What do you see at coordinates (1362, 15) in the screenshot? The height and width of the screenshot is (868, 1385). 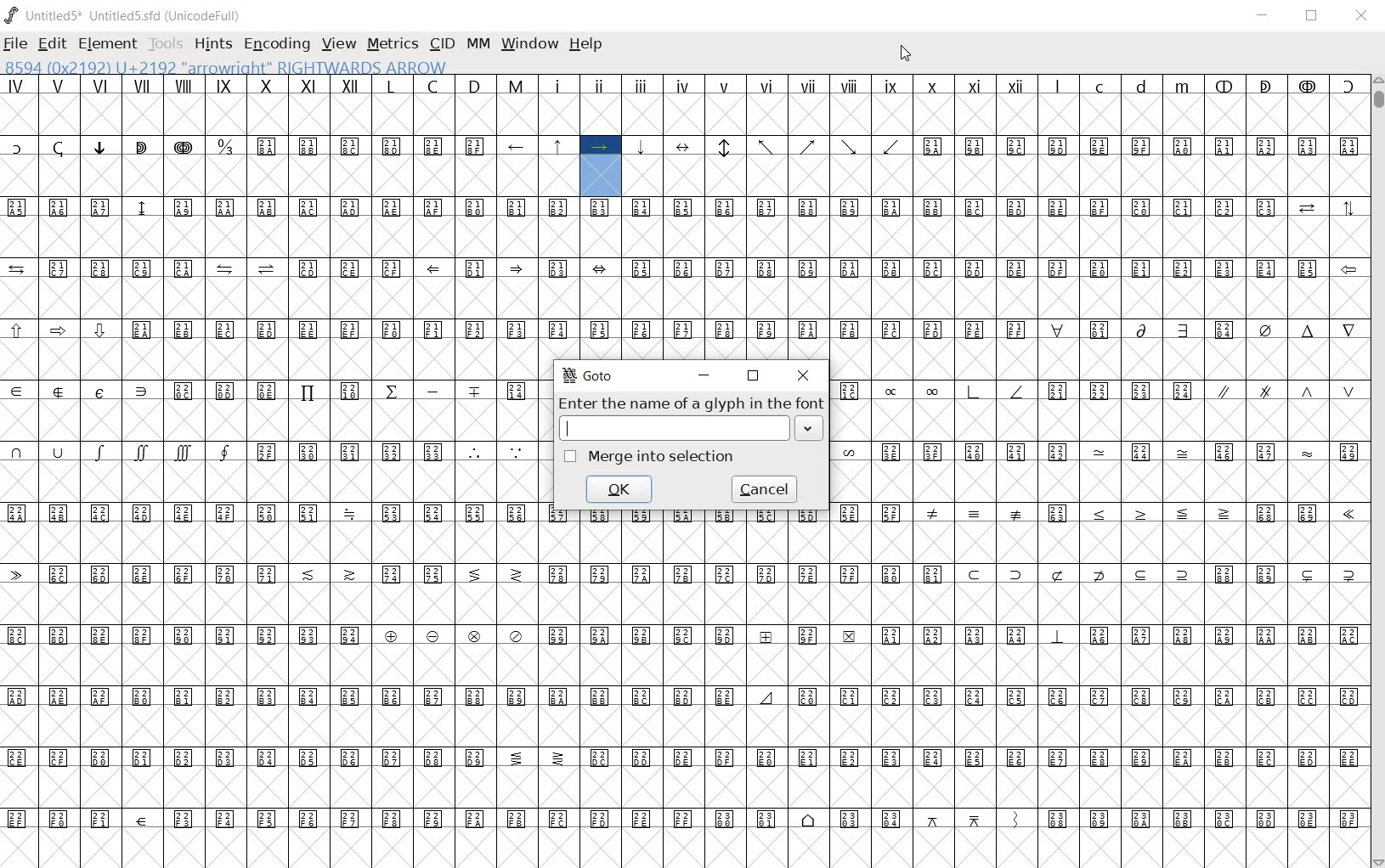 I see `CLOSE` at bounding box center [1362, 15].